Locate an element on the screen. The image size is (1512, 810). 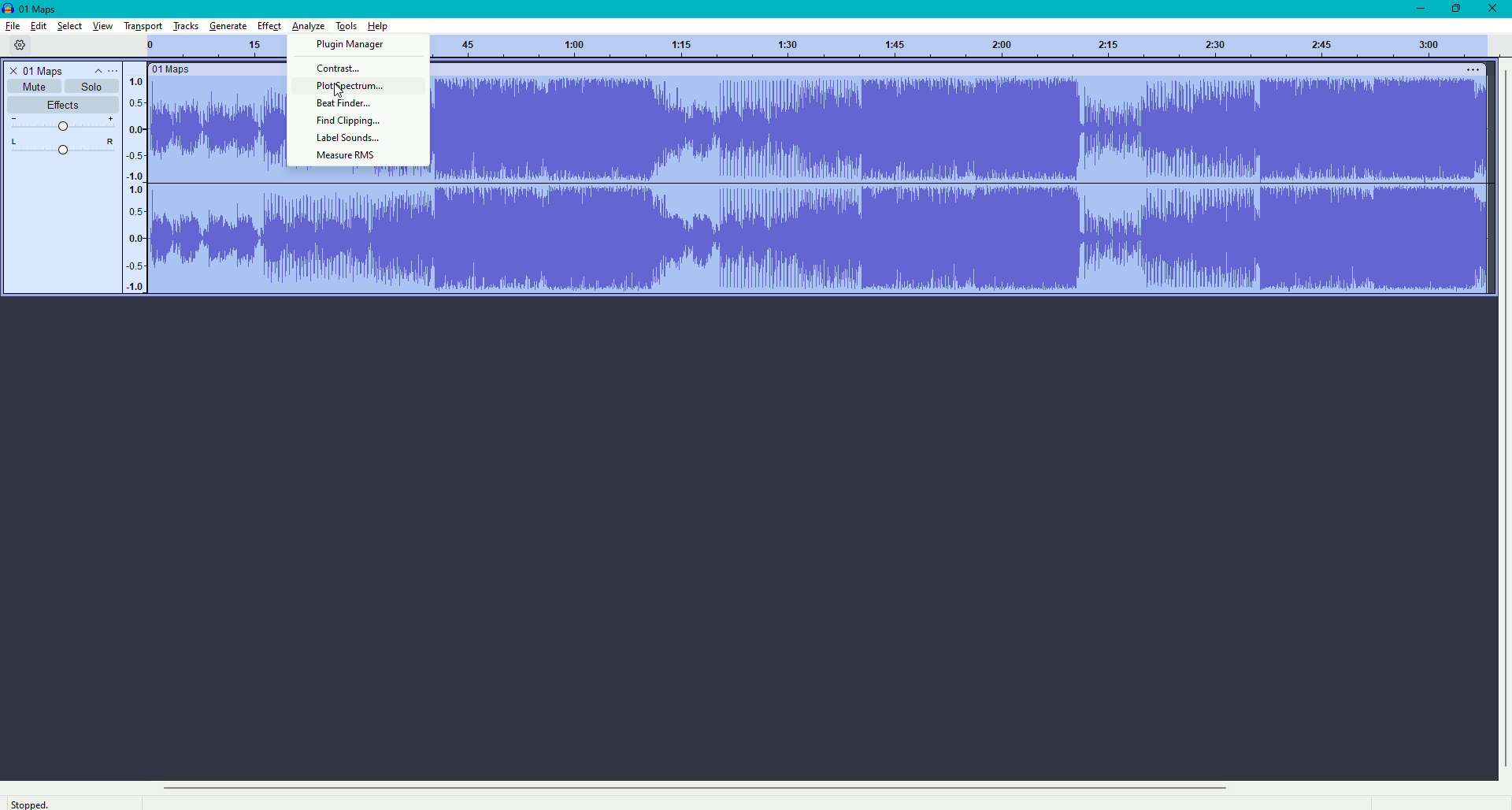
Maps is located at coordinates (31, 9).